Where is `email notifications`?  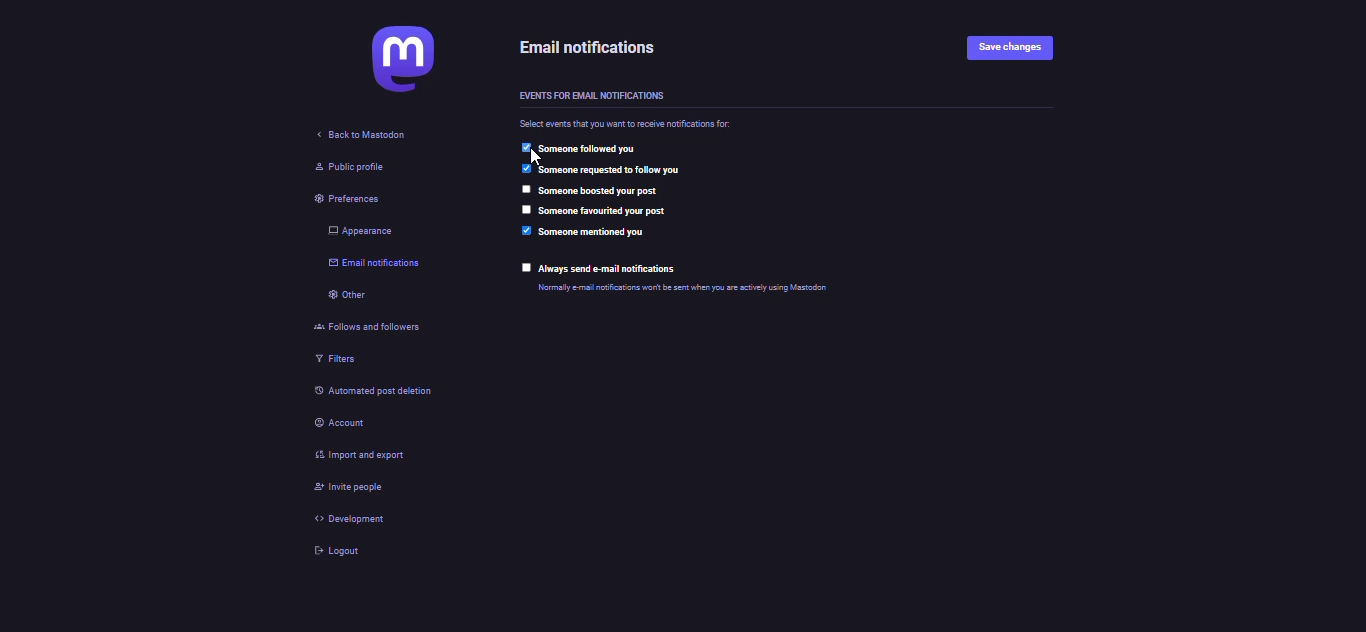
email notifications is located at coordinates (376, 266).